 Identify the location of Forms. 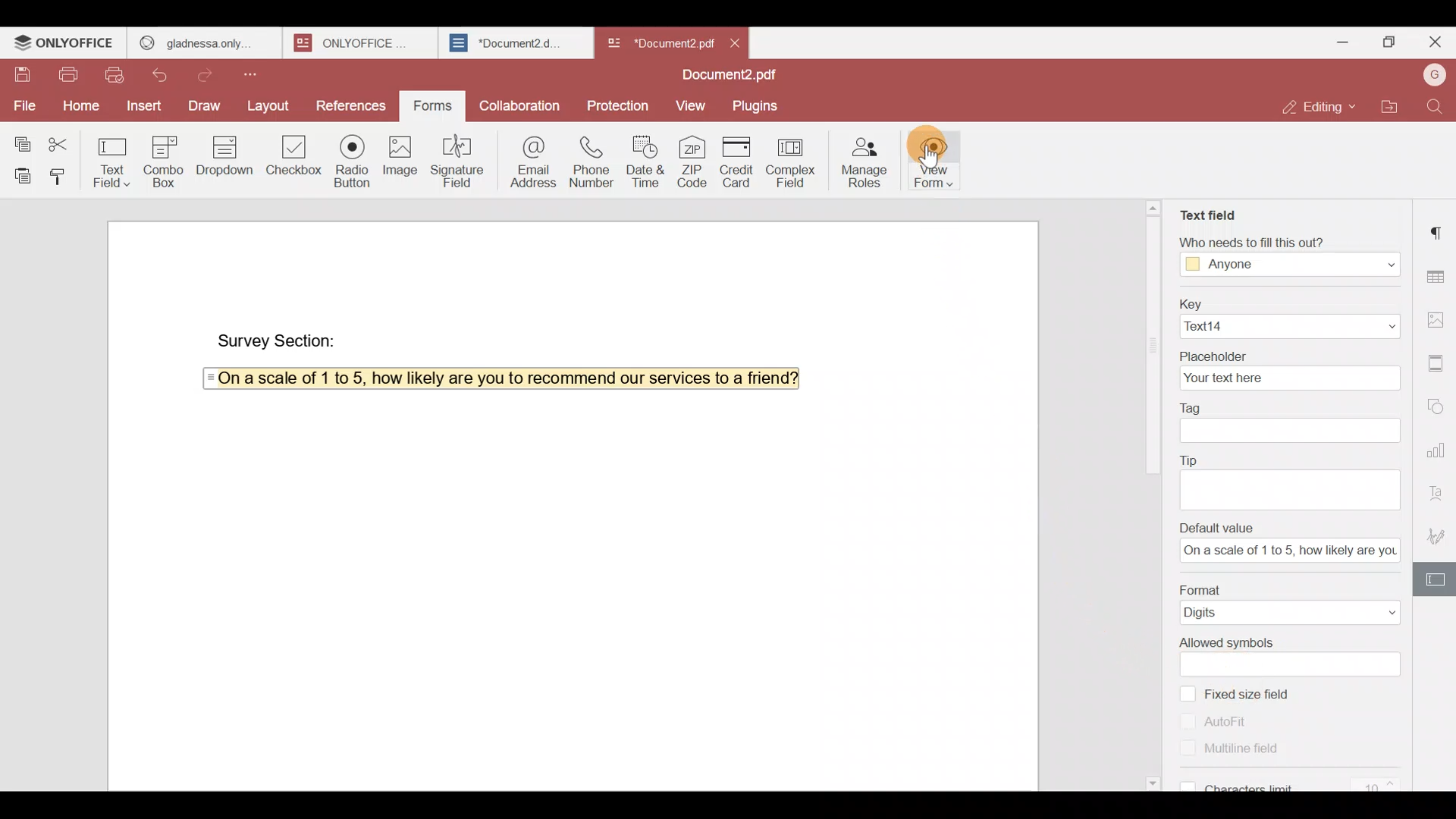
(427, 106).